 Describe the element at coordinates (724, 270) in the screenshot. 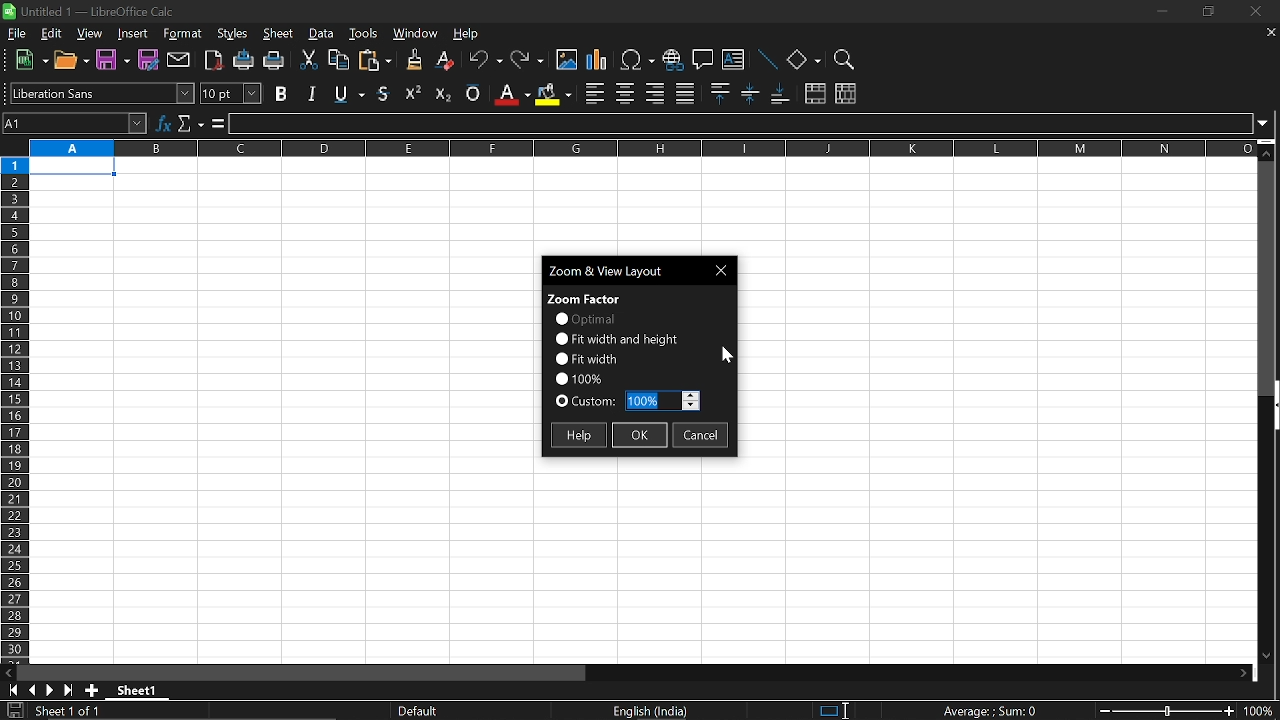

I see `Close` at that location.